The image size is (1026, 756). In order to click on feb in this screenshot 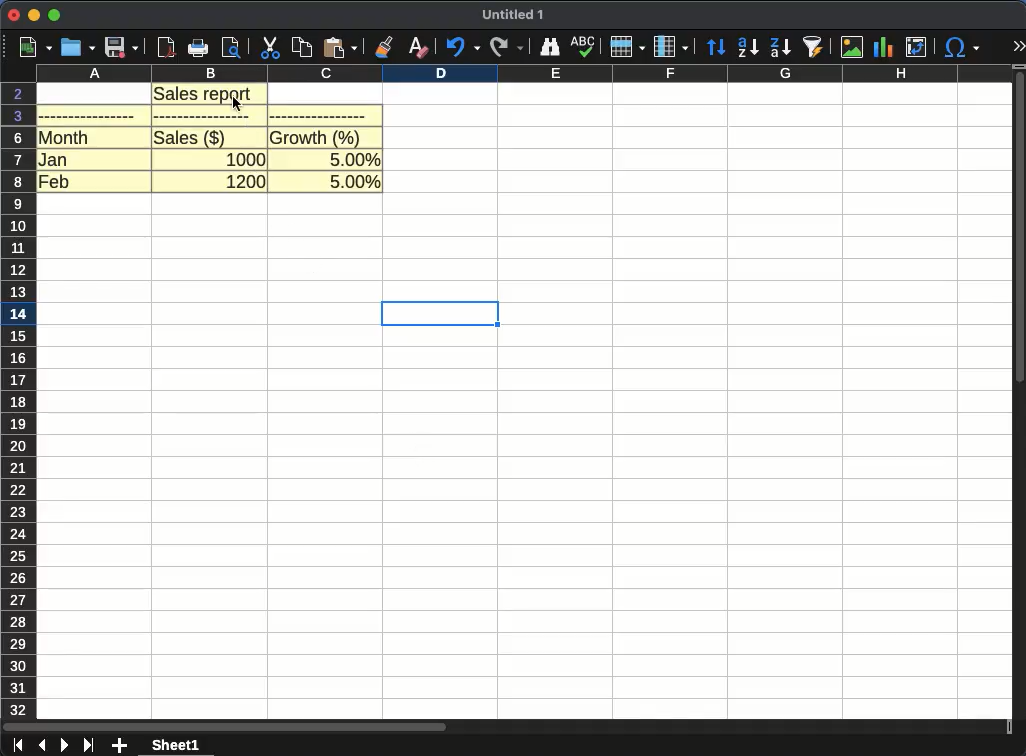, I will do `click(54, 180)`.